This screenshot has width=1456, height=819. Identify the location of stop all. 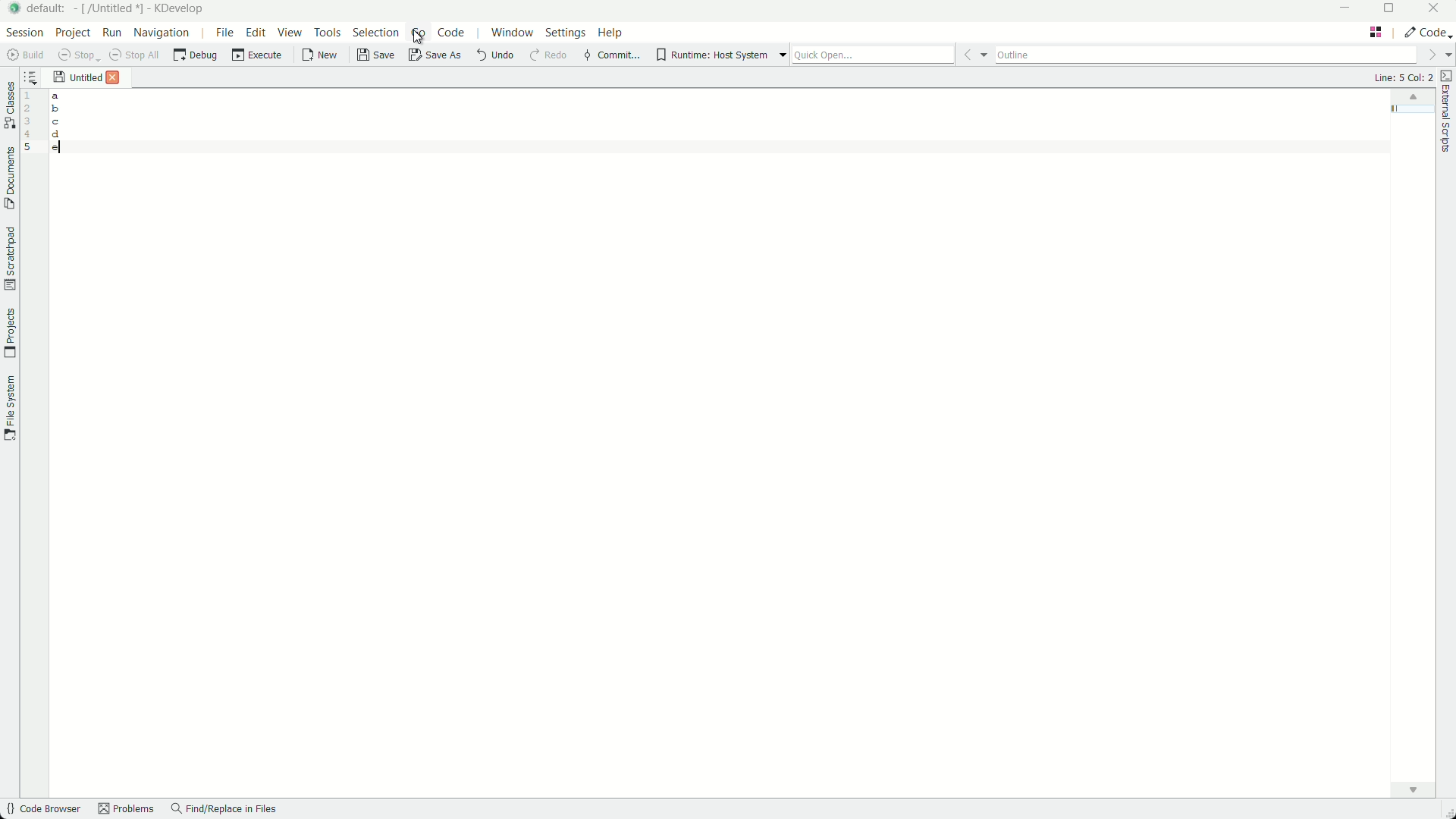
(133, 56).